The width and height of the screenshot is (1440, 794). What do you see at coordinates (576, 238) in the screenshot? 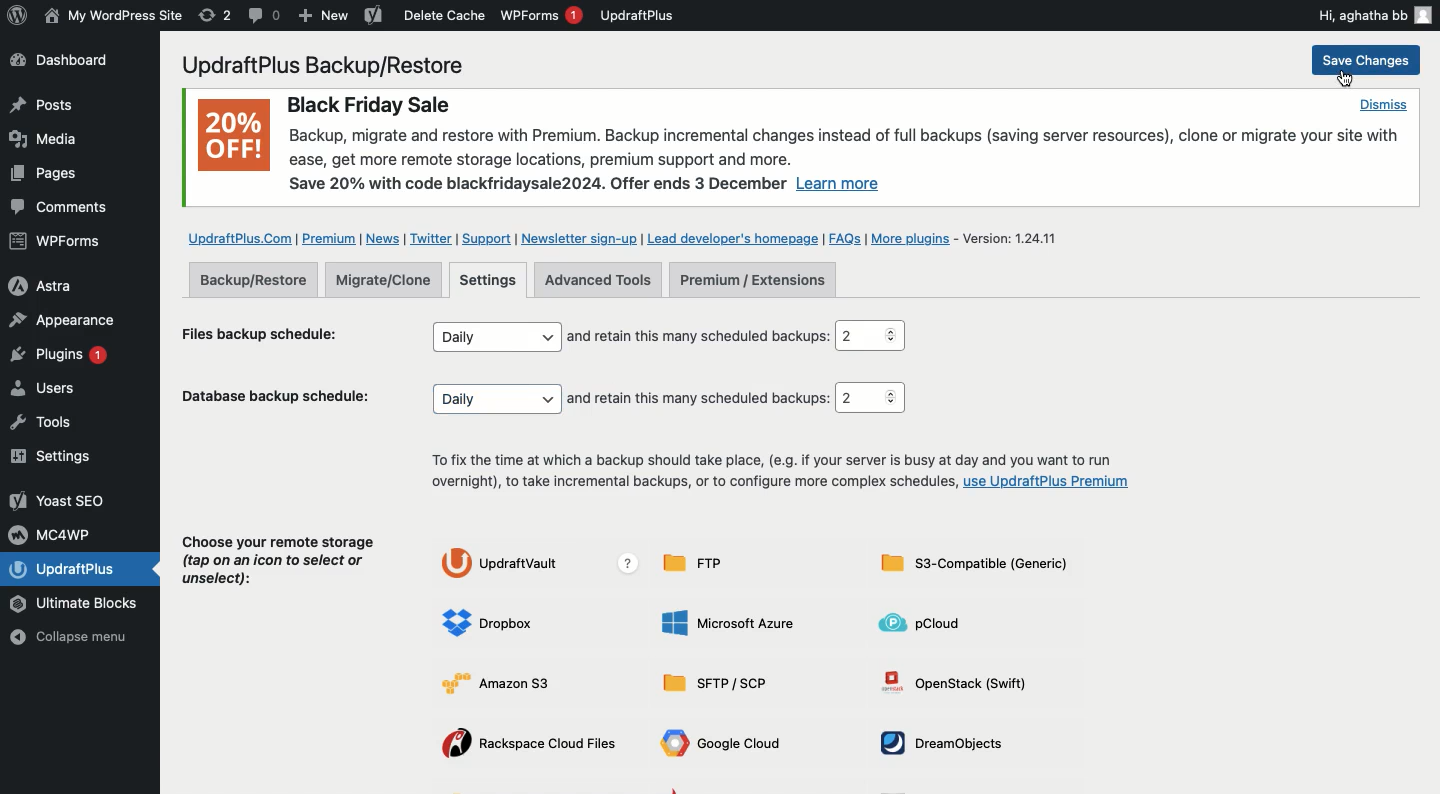
I see `Newsletter sign up` at bounding box center [576, 238].